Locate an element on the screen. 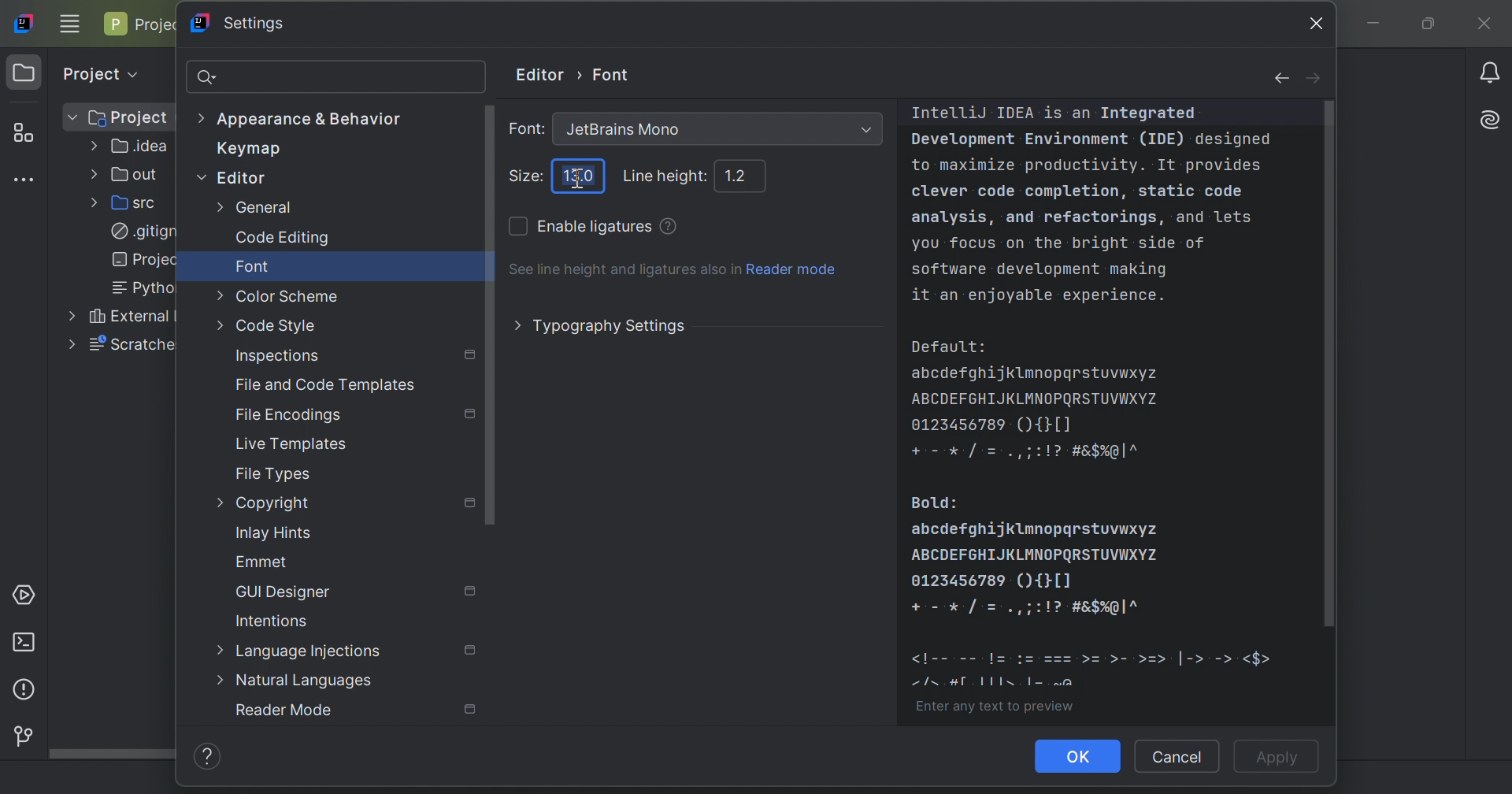 The width and height of the screenshot is (1512, 794). Settings marked with this icon are only applied to the current project. Non-marked settings are applied to all projects. is located at coordinates (470, 414).